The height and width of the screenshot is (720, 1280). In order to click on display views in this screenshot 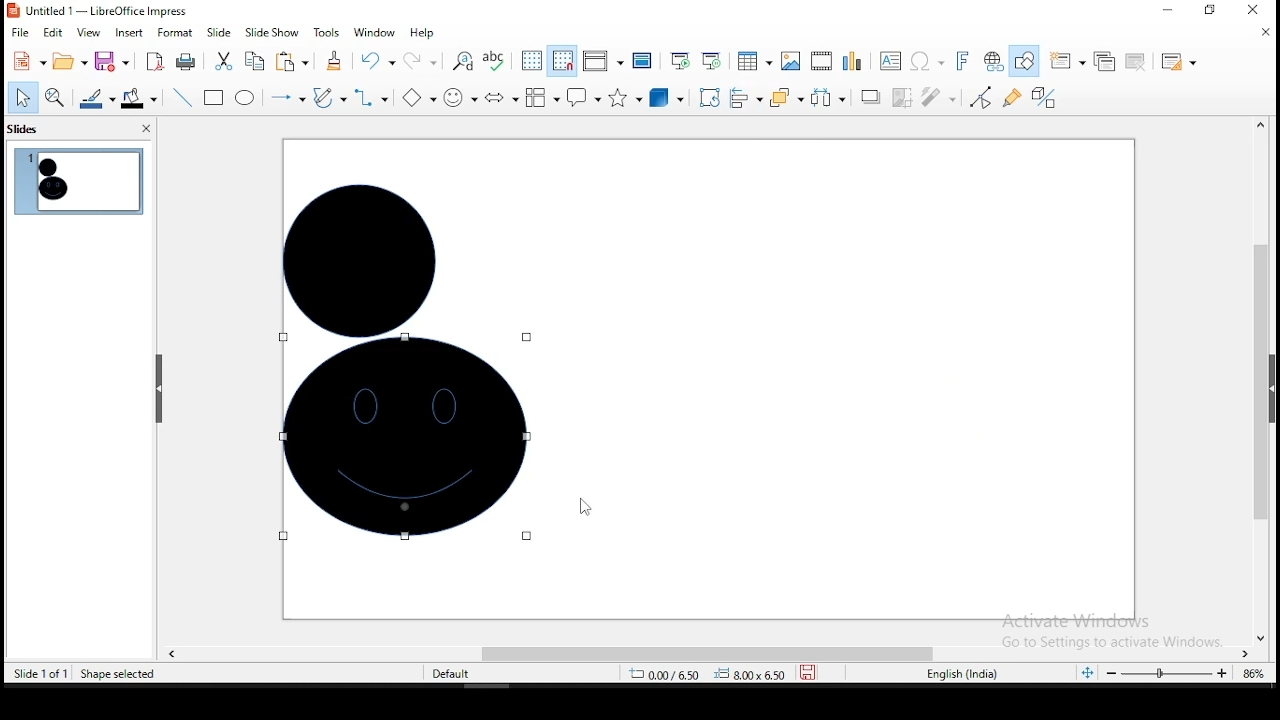, I will do `click(602, 61)`.